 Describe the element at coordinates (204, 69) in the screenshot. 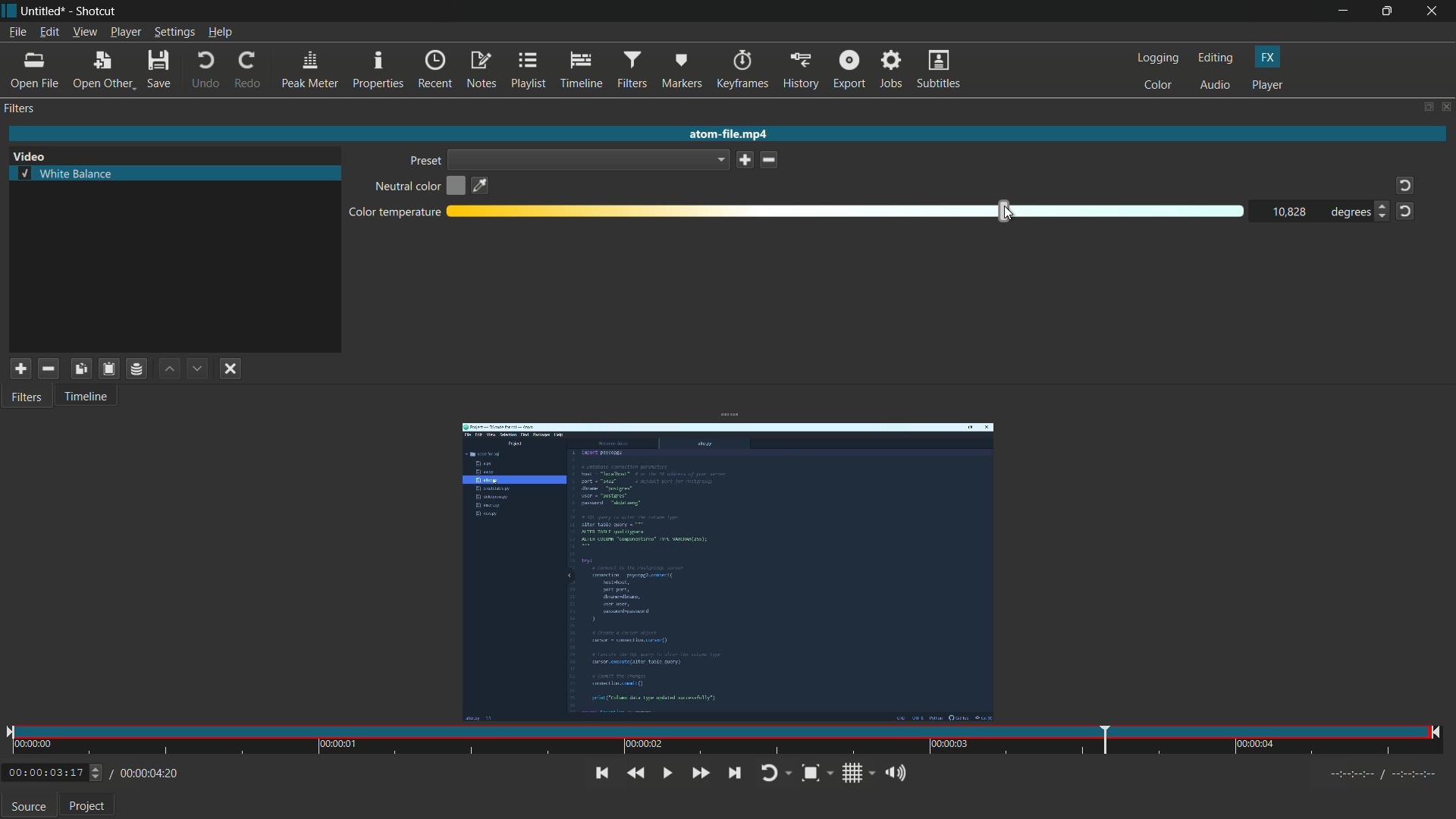

I see `undo` at that location.